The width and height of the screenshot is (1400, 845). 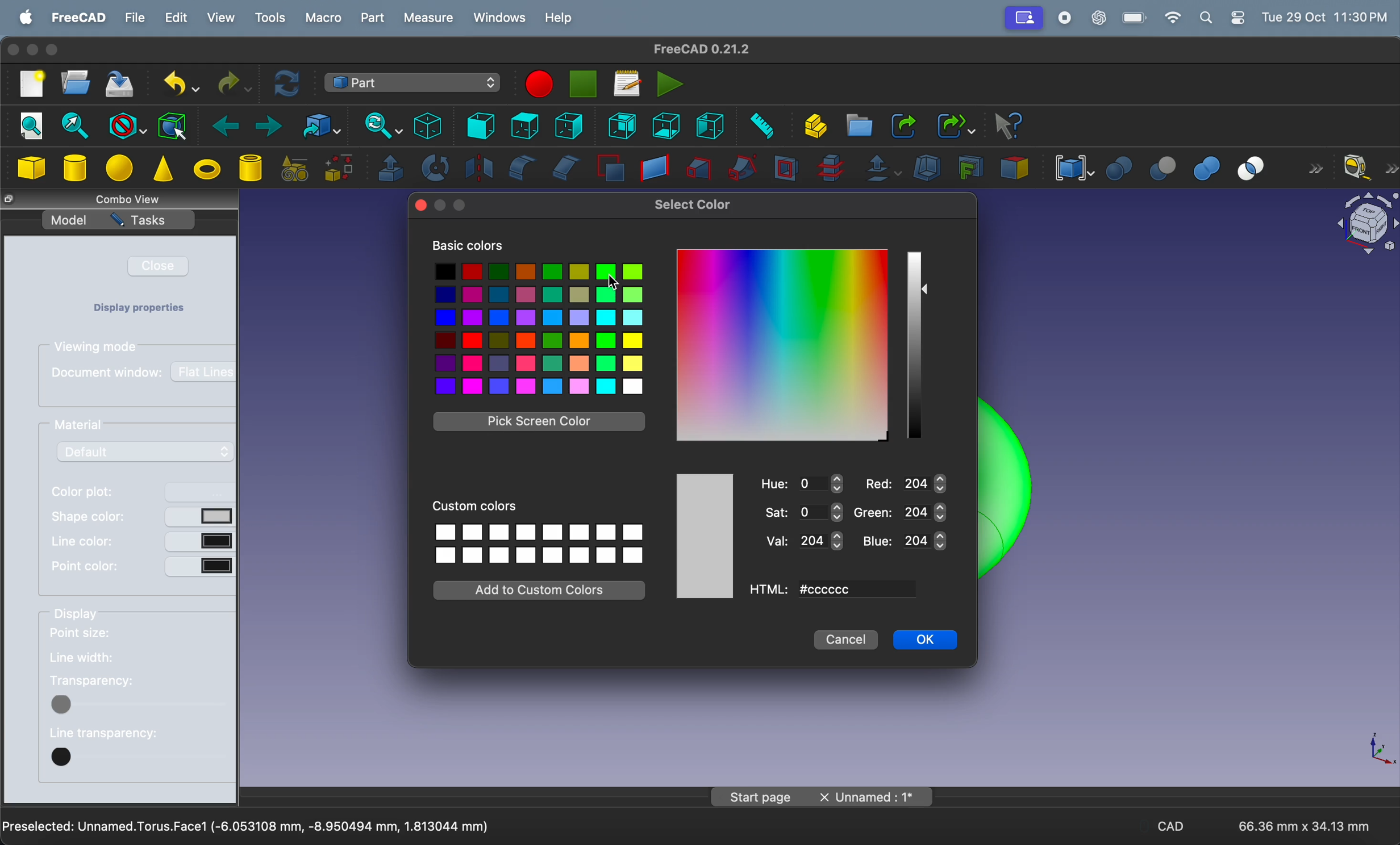 I want to click on color per face, so click(x=1014, y=167).